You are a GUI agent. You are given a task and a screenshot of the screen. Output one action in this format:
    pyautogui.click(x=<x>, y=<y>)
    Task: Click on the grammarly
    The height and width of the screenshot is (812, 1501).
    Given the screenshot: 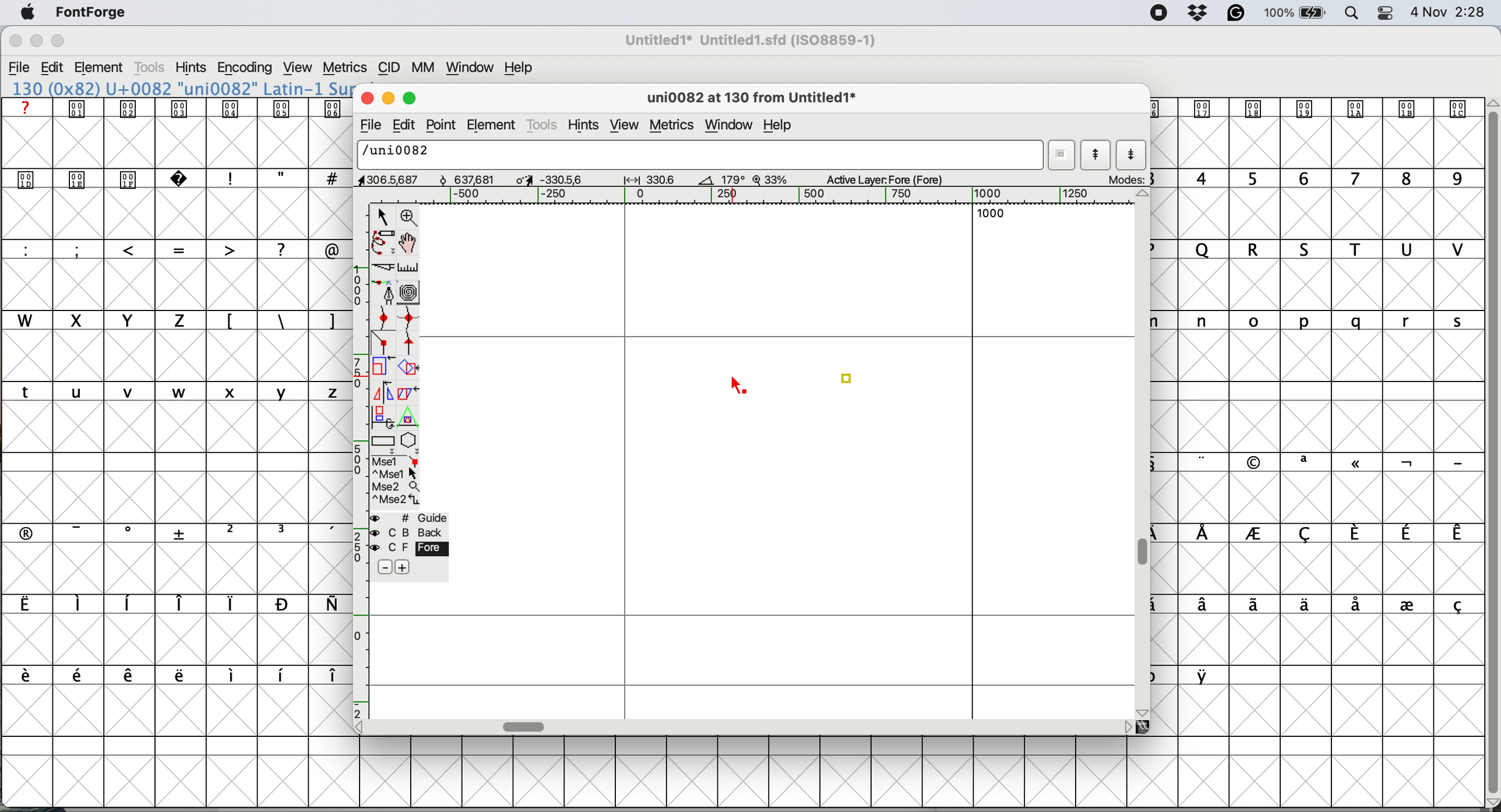 What is the action you would take?
    pyautogui.click(x=1238, y=14)
    